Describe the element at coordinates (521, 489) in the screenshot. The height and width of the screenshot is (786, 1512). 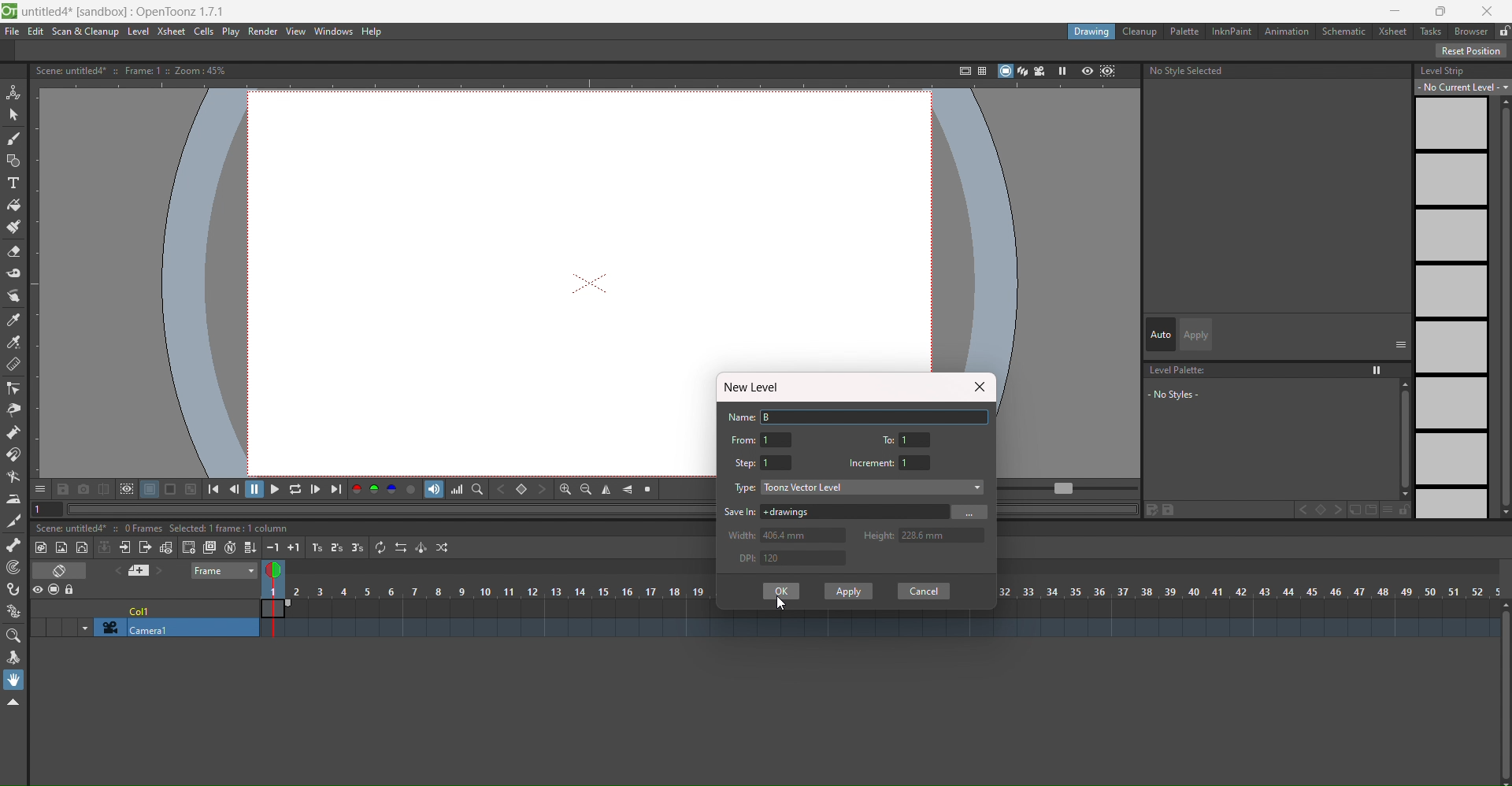
I see `set key` at that location.